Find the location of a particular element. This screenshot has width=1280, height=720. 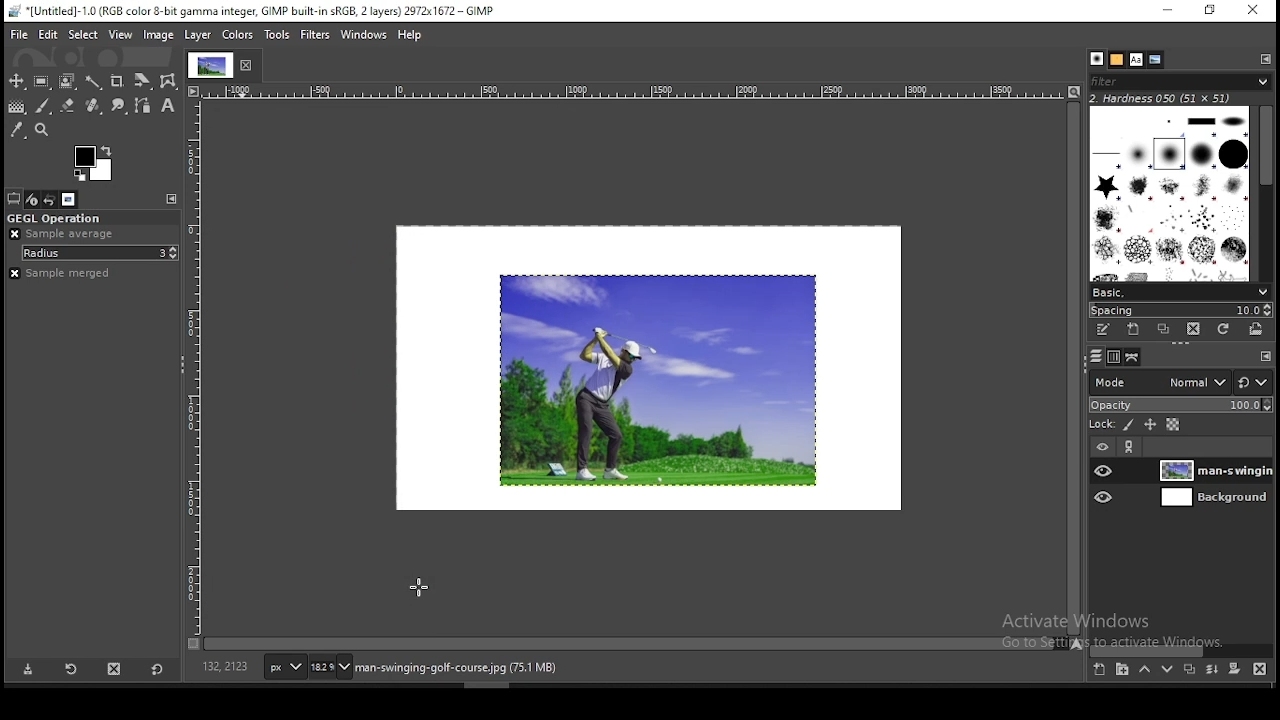

horizontal scale is located at coordinates (195, 369).